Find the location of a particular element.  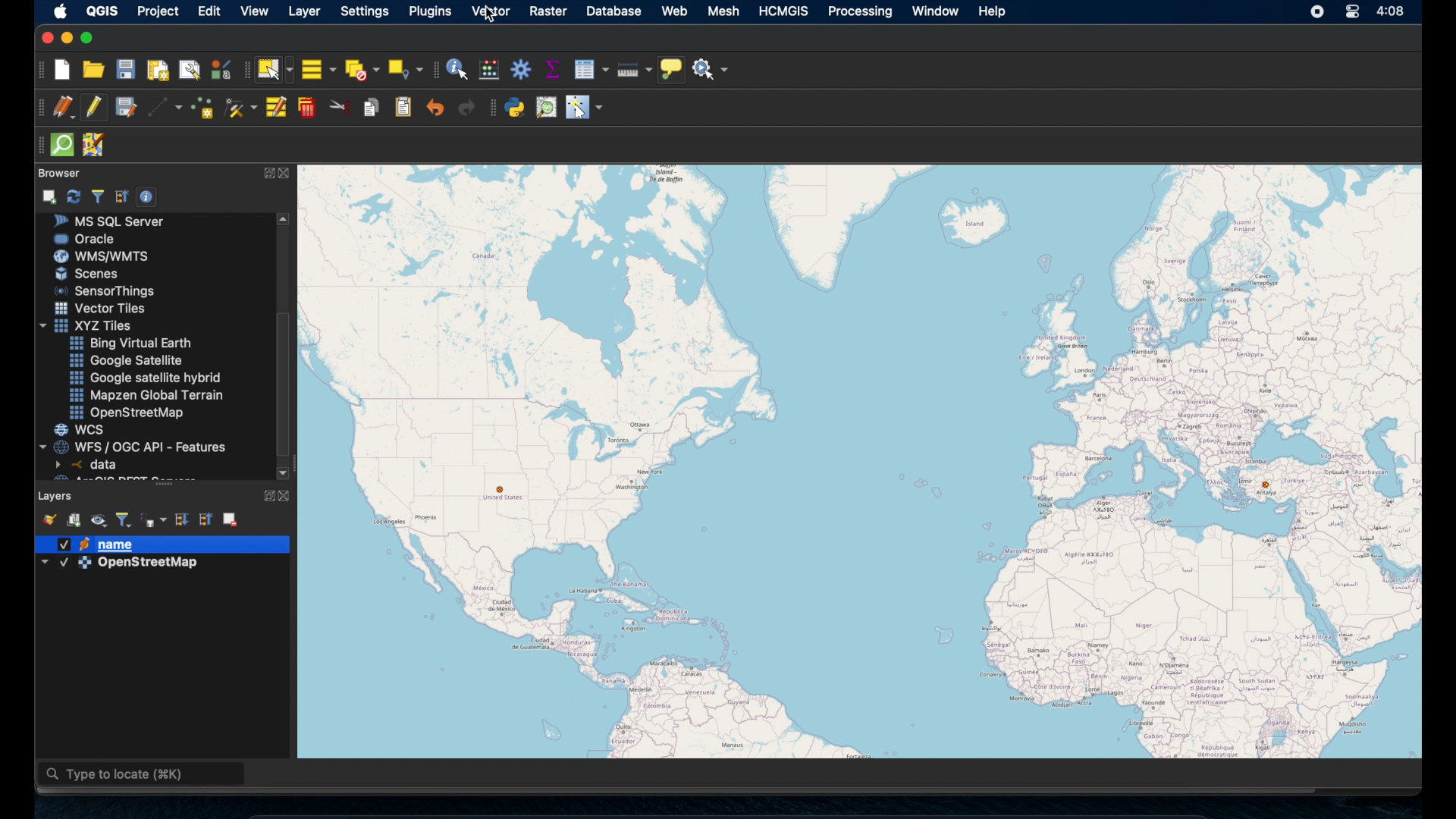

close is located at coordinates (287, 174).